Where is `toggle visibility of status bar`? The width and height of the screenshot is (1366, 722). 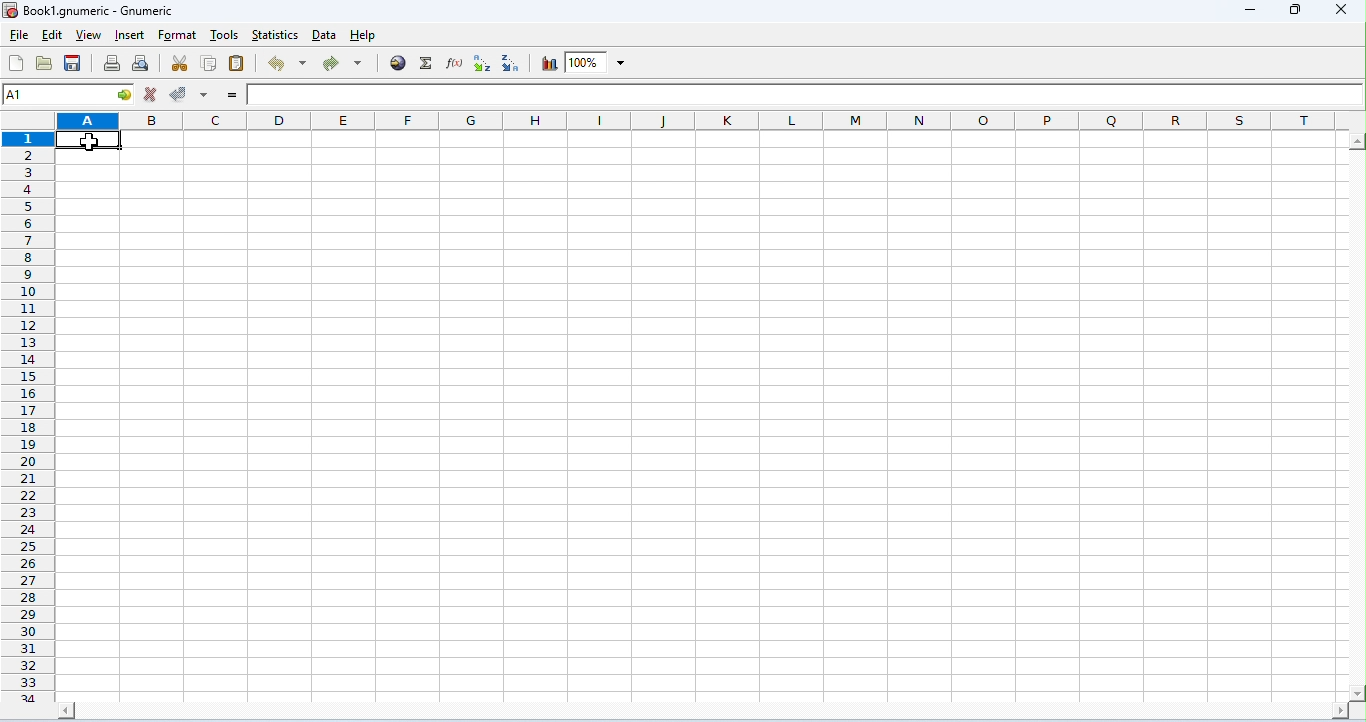
toggle visibility of status bar is located at coordinates (622, 707).